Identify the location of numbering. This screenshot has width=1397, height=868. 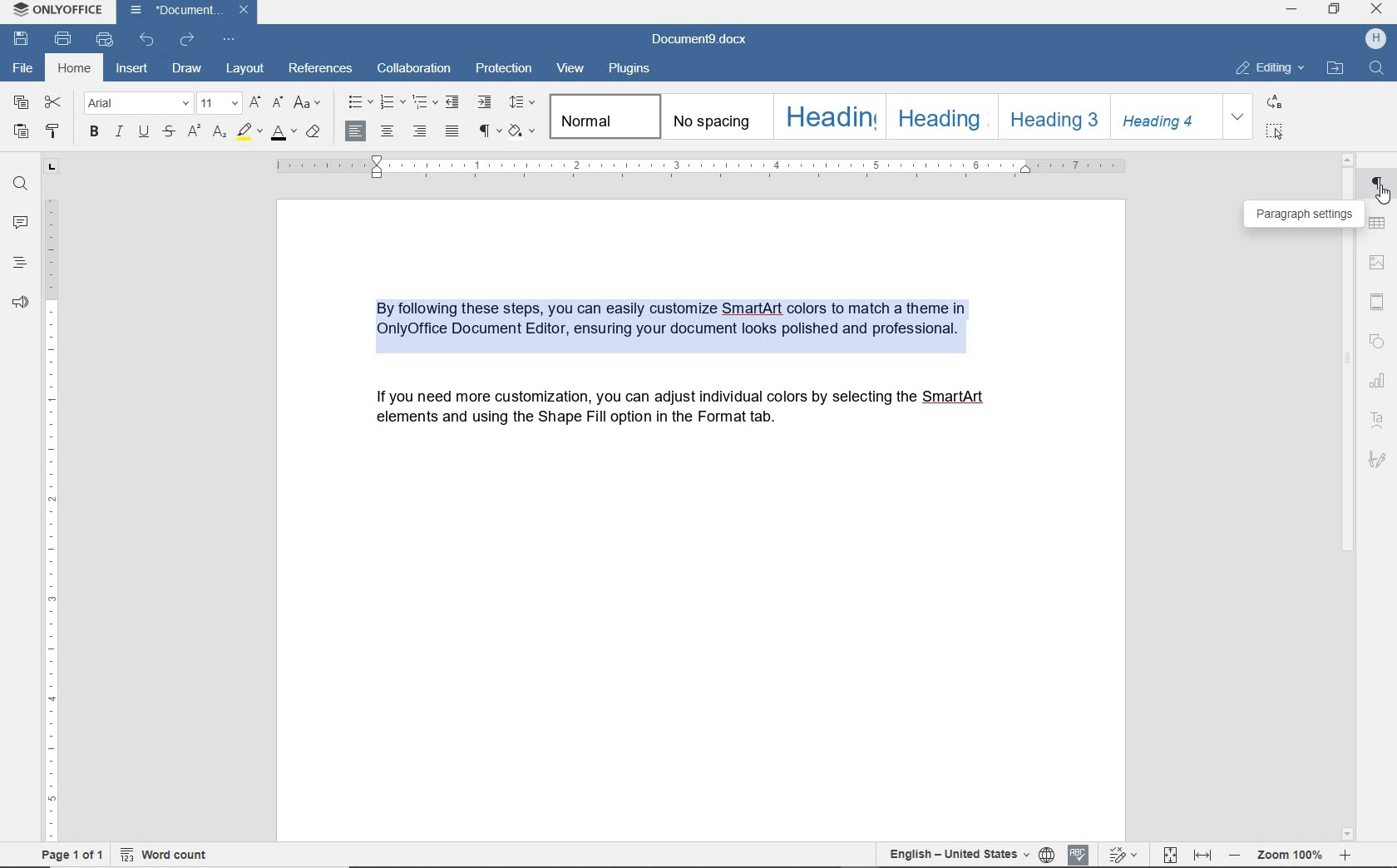
(388, 100).